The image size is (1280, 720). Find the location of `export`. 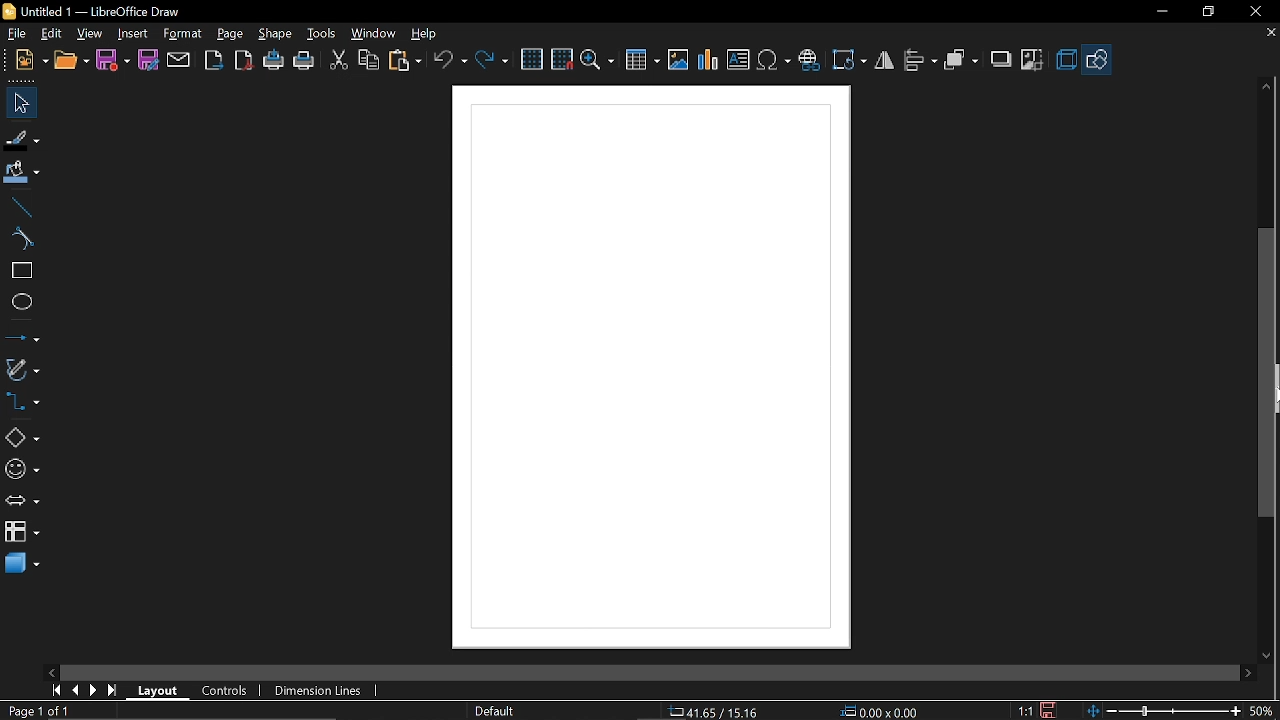

export is located at coordinates (215, 60).